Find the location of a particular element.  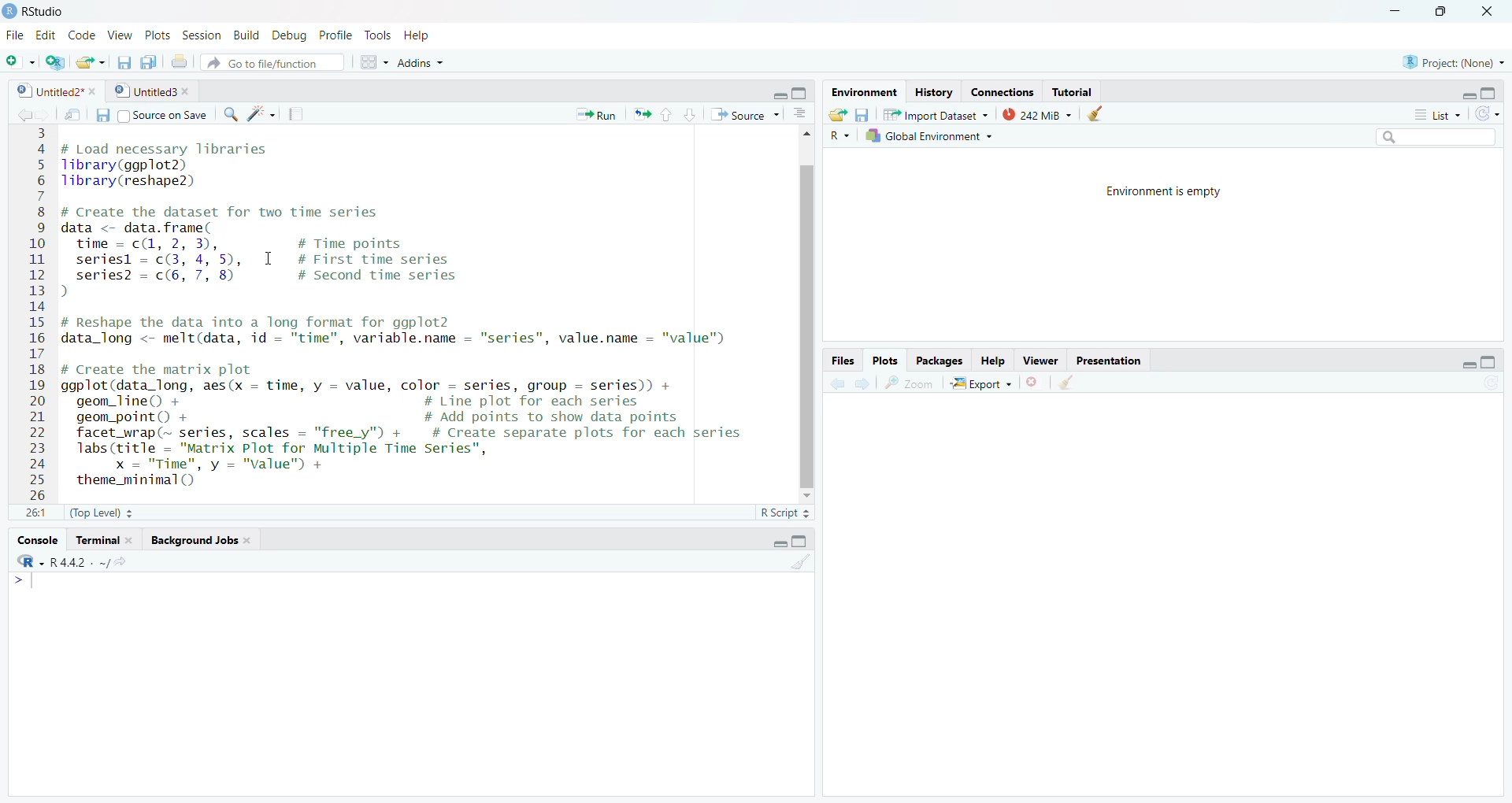

Packages is located at coordinates (938, 361).